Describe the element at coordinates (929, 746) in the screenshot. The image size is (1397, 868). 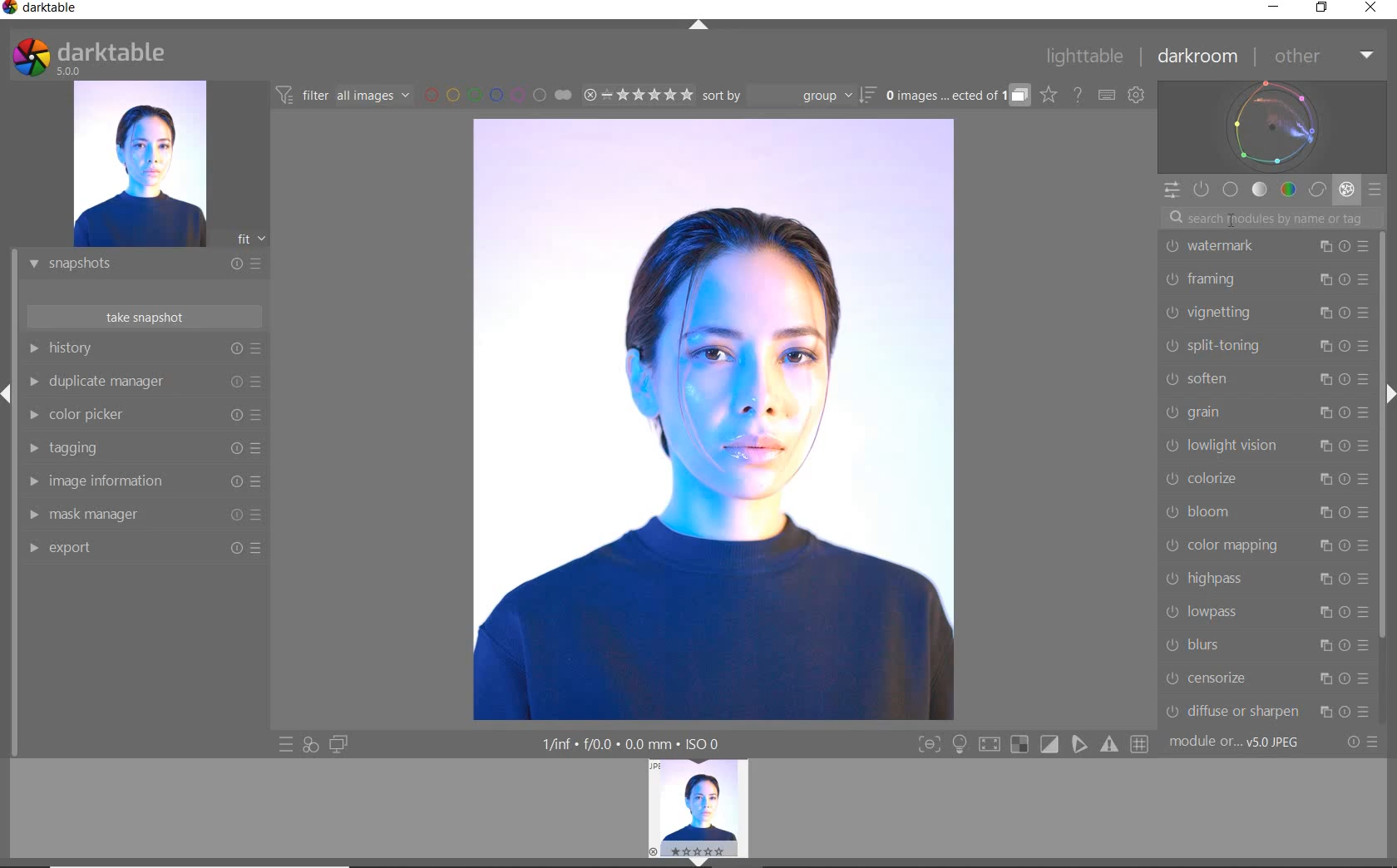
I see `Button` at that location.